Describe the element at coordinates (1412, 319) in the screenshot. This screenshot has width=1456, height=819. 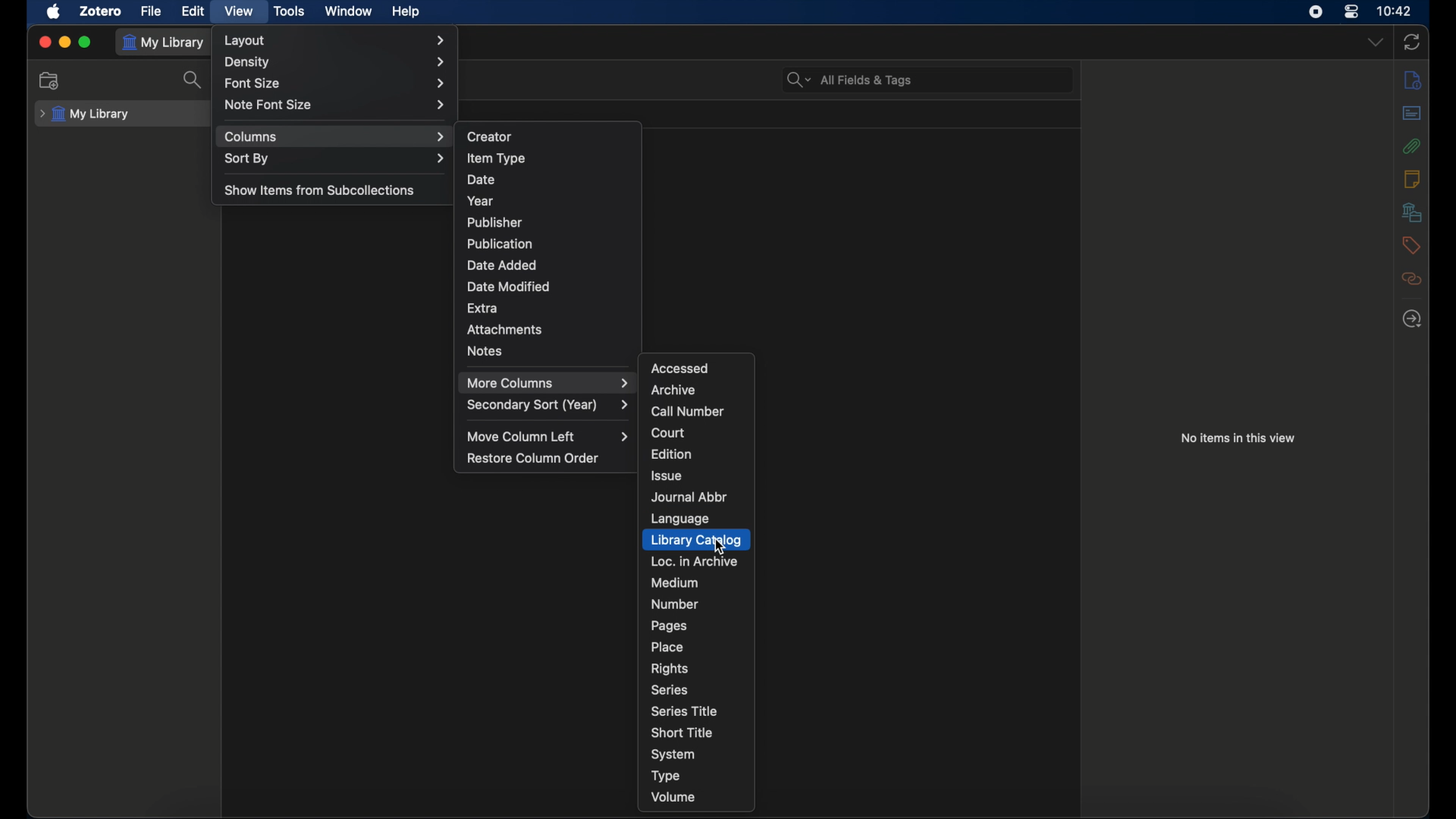
I see `locate` at that location.